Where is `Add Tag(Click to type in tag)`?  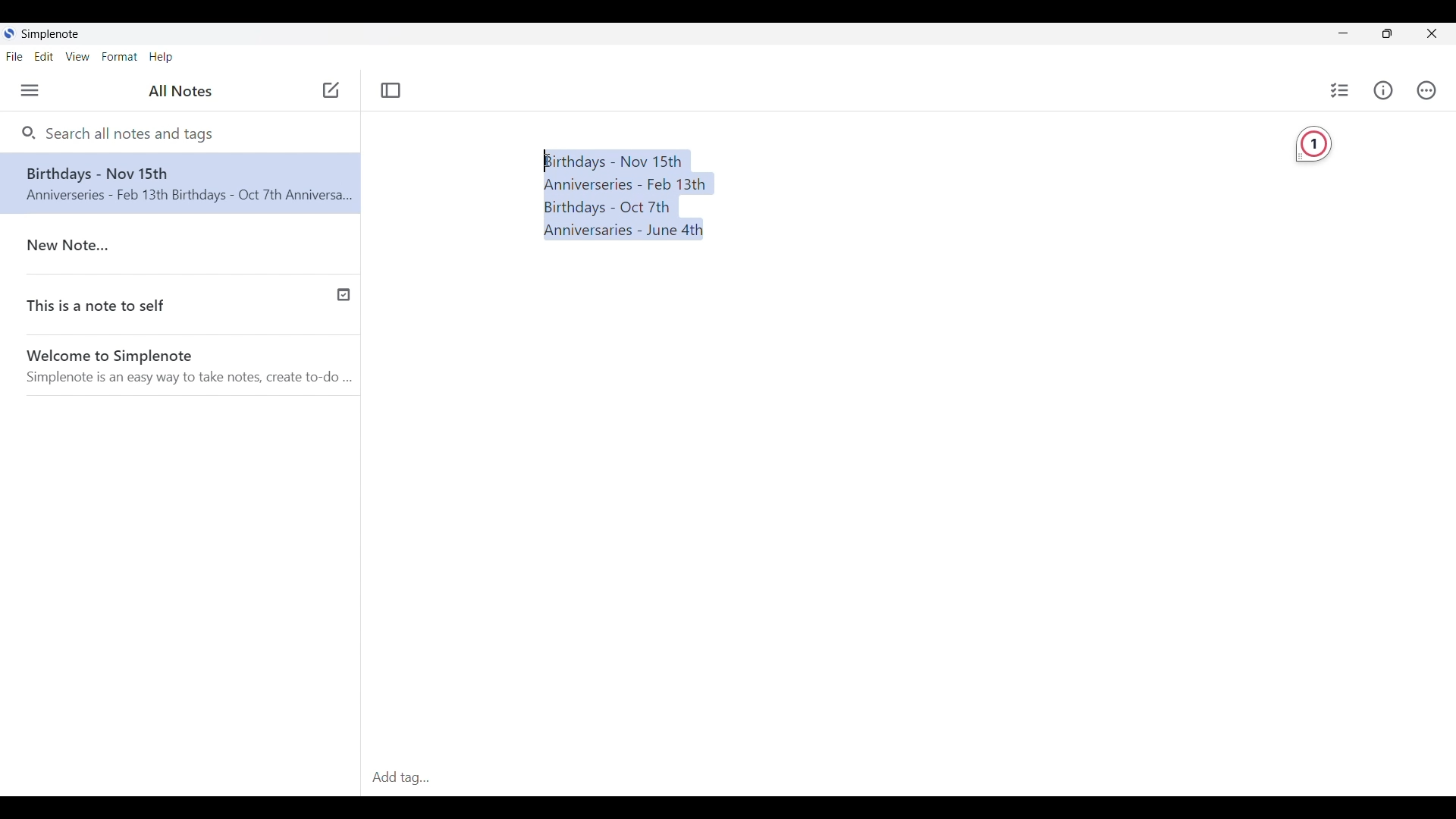
Add Tag(Click to type in tag) is located at coordinates (908, 779).